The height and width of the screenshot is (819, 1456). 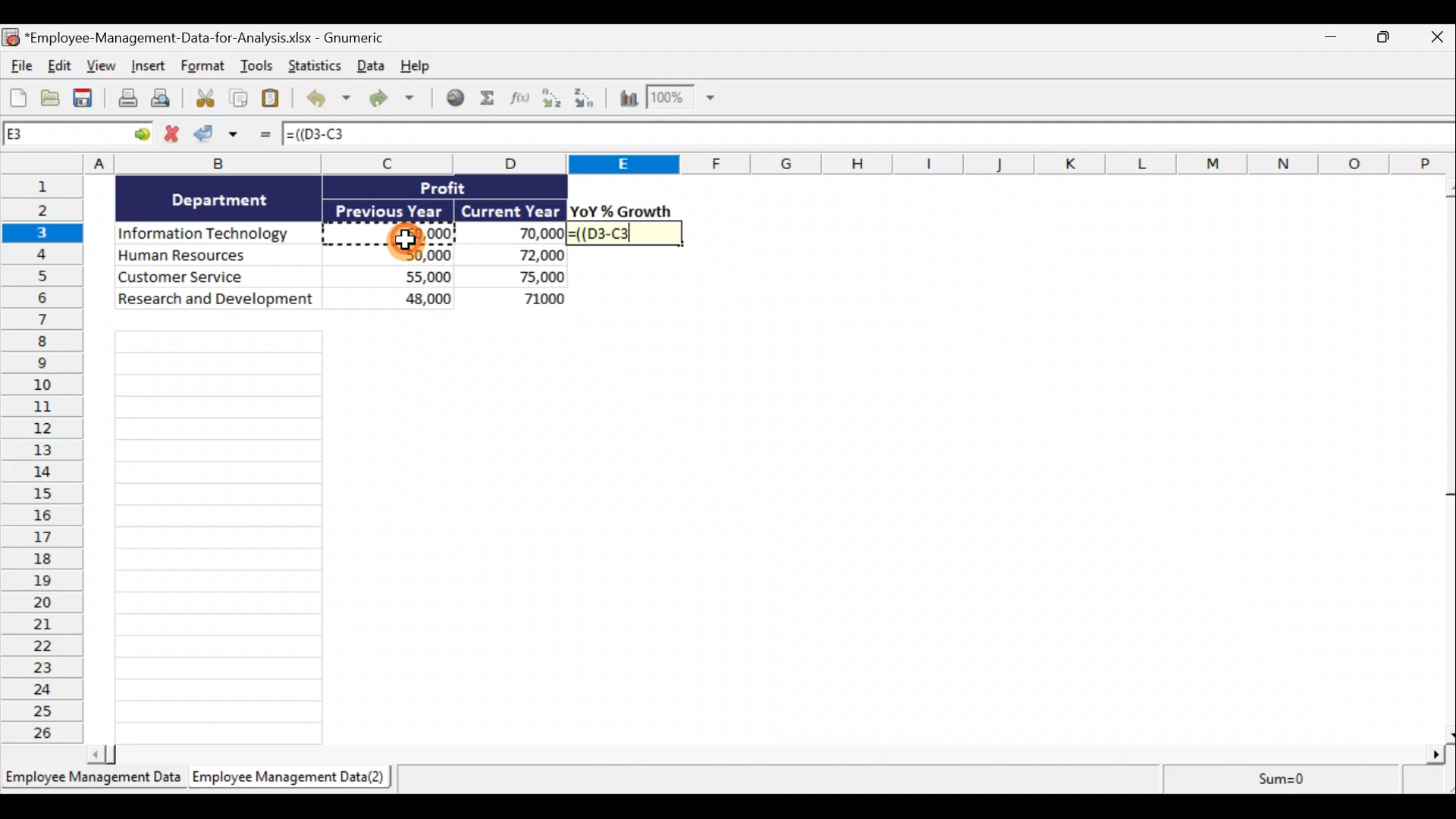 What do you see at coordinates (407, 237) in the screenshot?
I see `Cursor` at bounding box center [407, 237].